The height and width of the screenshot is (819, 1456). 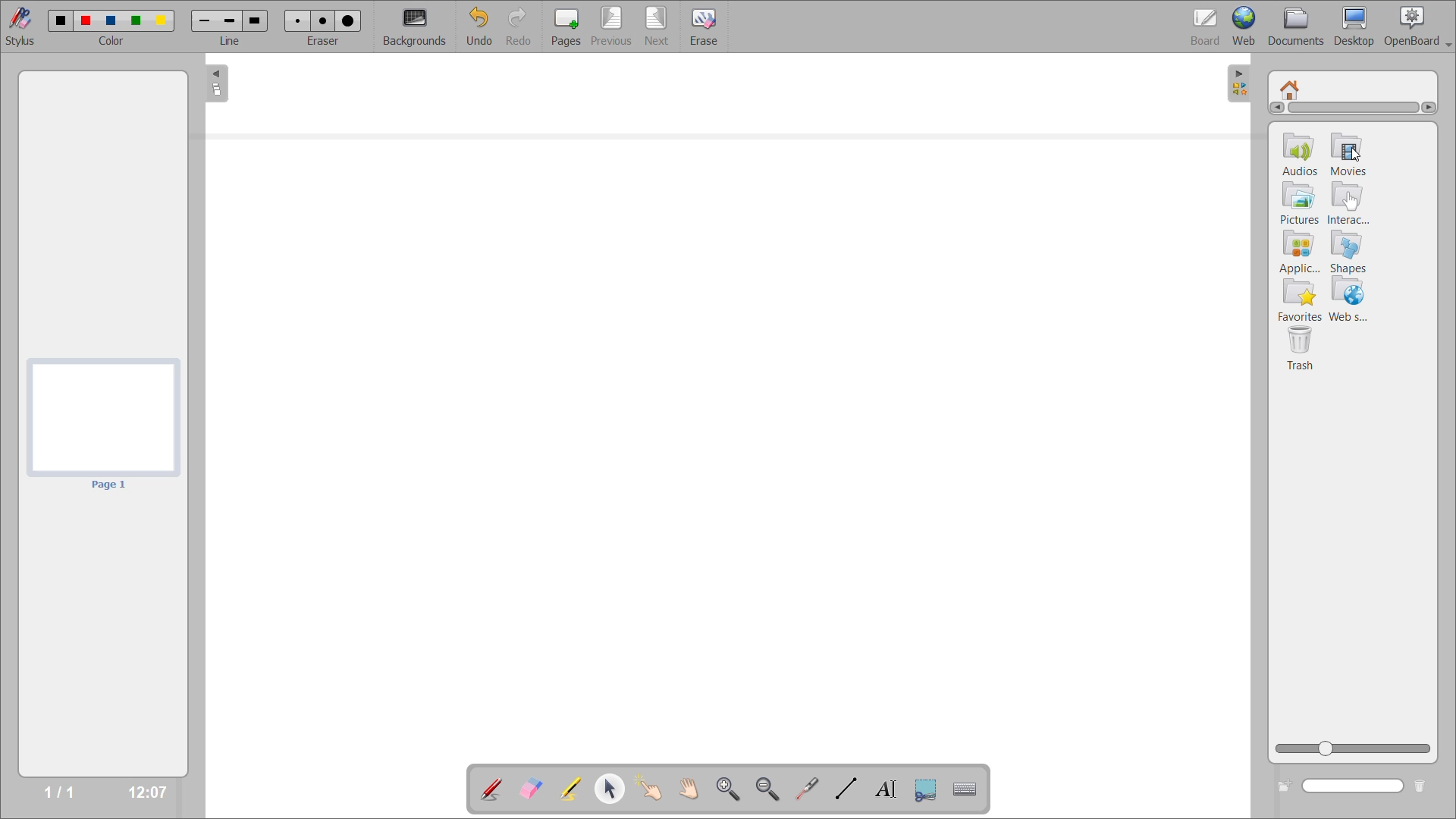 I want to click on scroll page, so click(x=686, y=787).